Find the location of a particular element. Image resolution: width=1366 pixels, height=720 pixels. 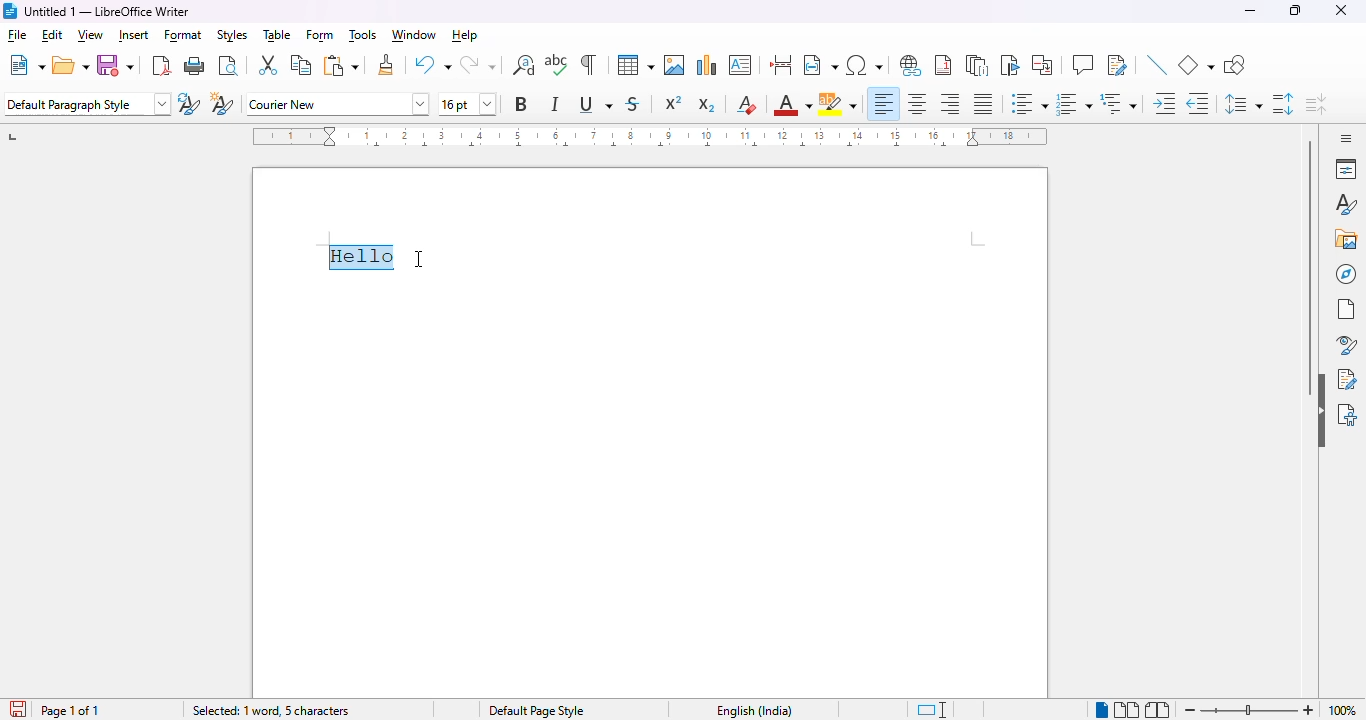

decrease paragraph spacing is located at coordinates (1317, 105).